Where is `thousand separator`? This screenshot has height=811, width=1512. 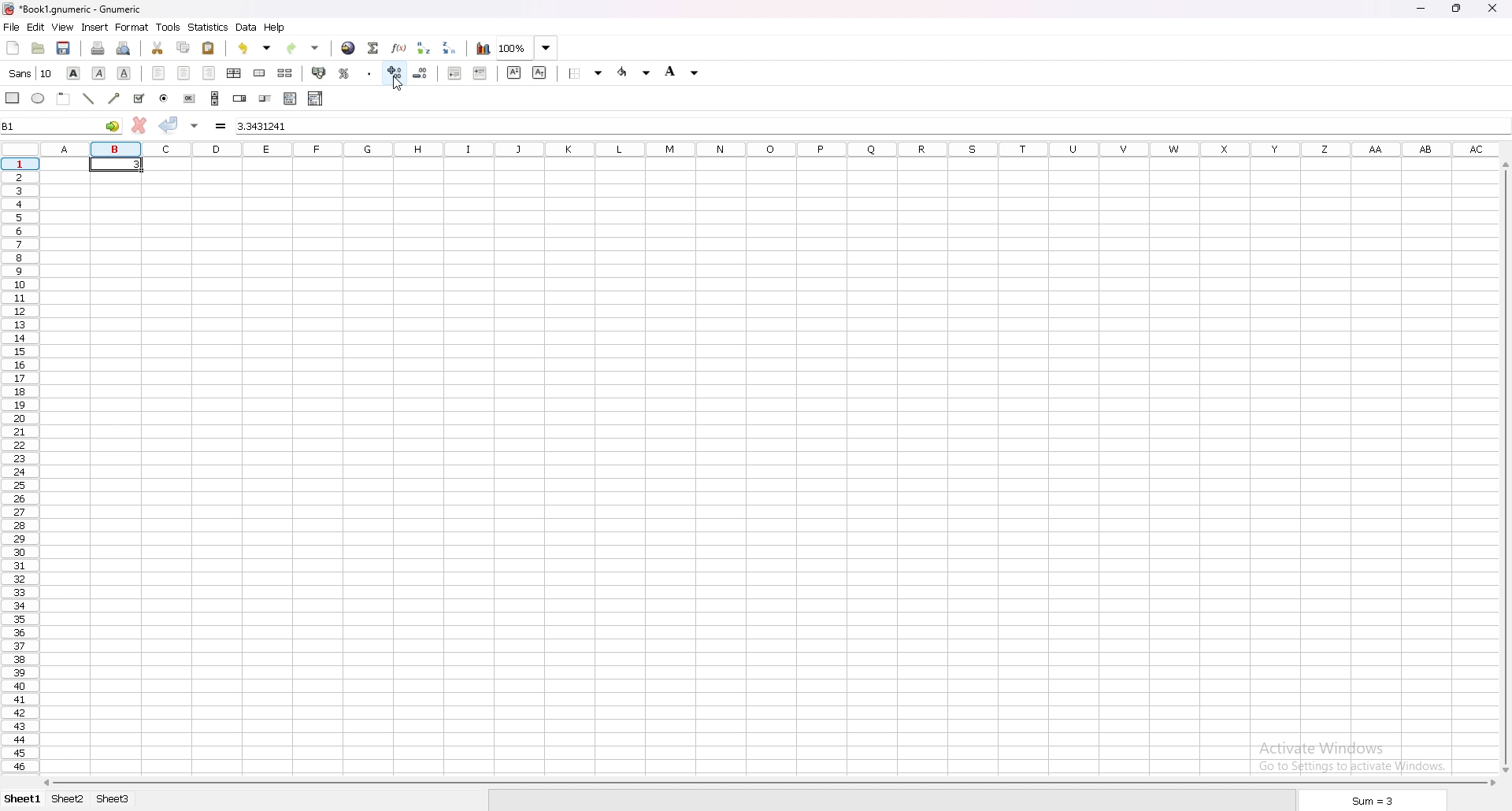 thousand separator is located at coordinates (368, 72).